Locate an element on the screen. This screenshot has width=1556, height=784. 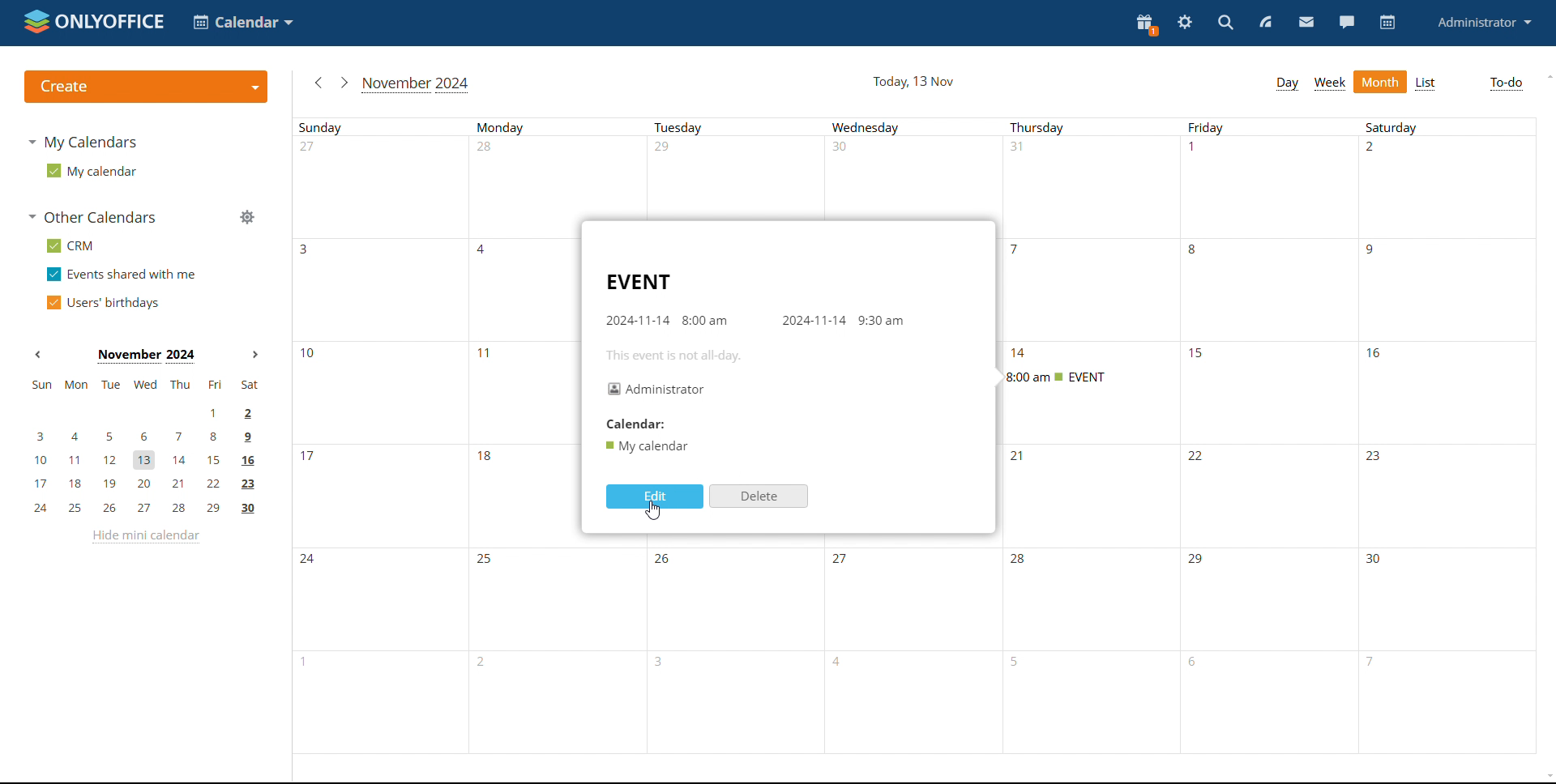
day view is located at coordinates (1289, 84).